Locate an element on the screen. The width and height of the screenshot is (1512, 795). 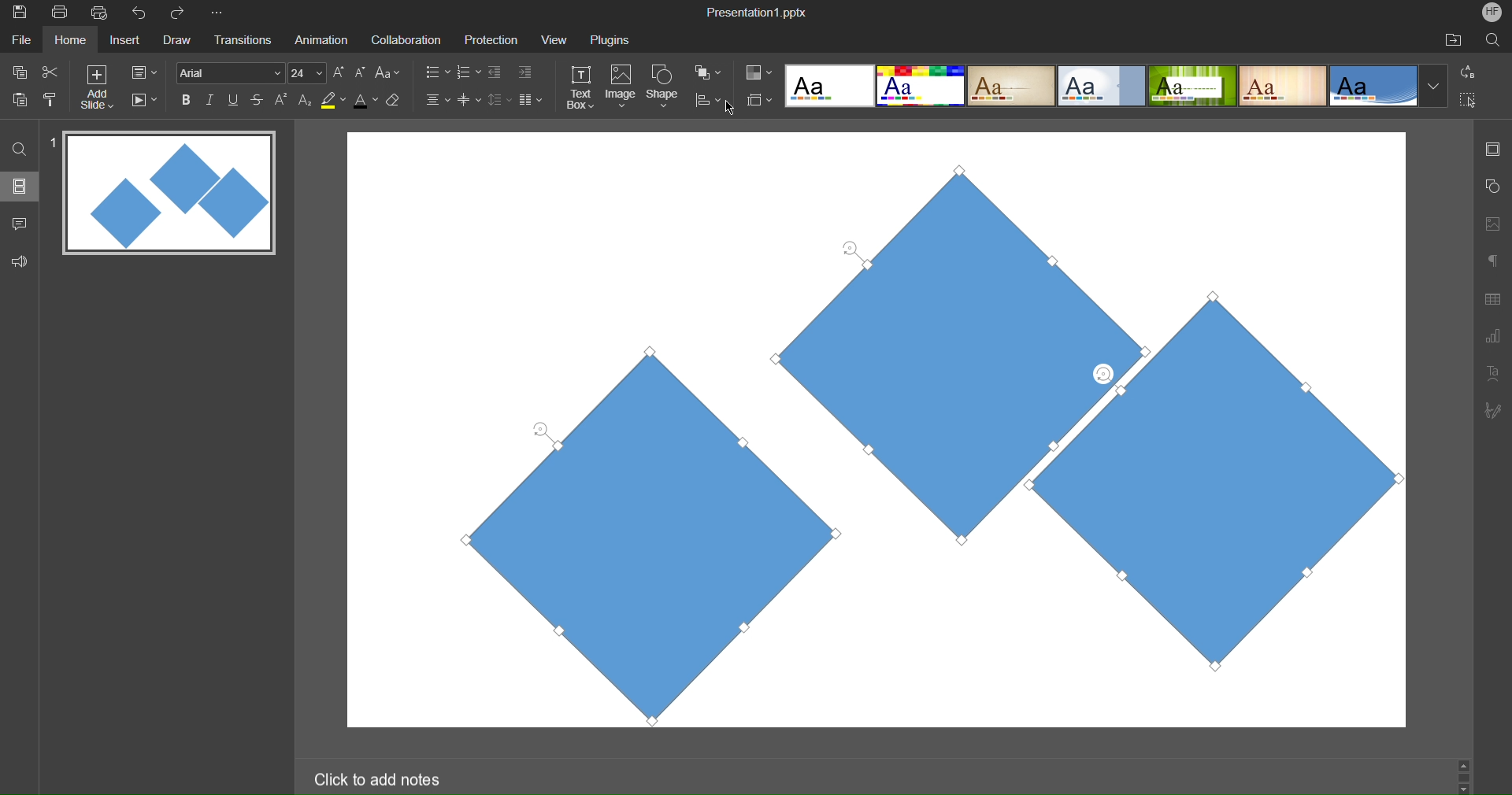
a to b is located at coordinates (1472, 71).